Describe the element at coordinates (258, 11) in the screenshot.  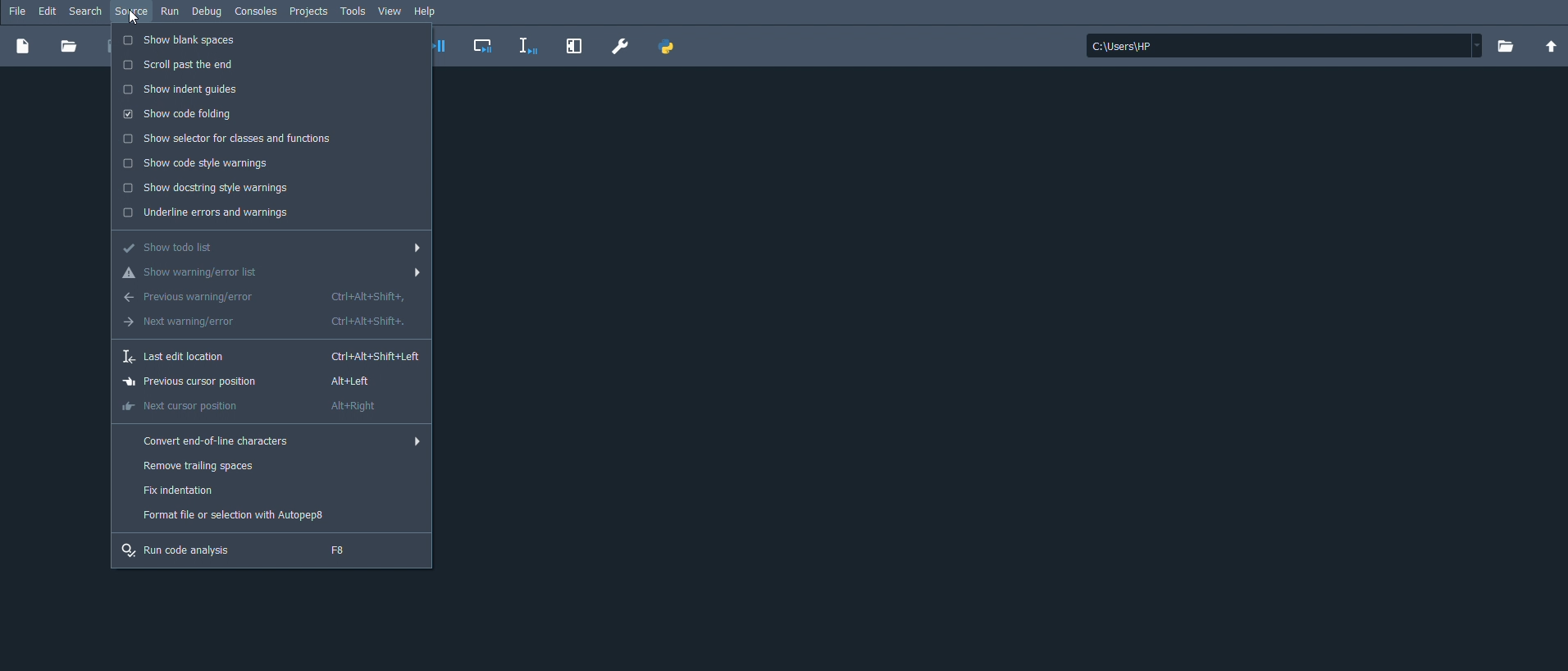
I see `Consoles` at that location.